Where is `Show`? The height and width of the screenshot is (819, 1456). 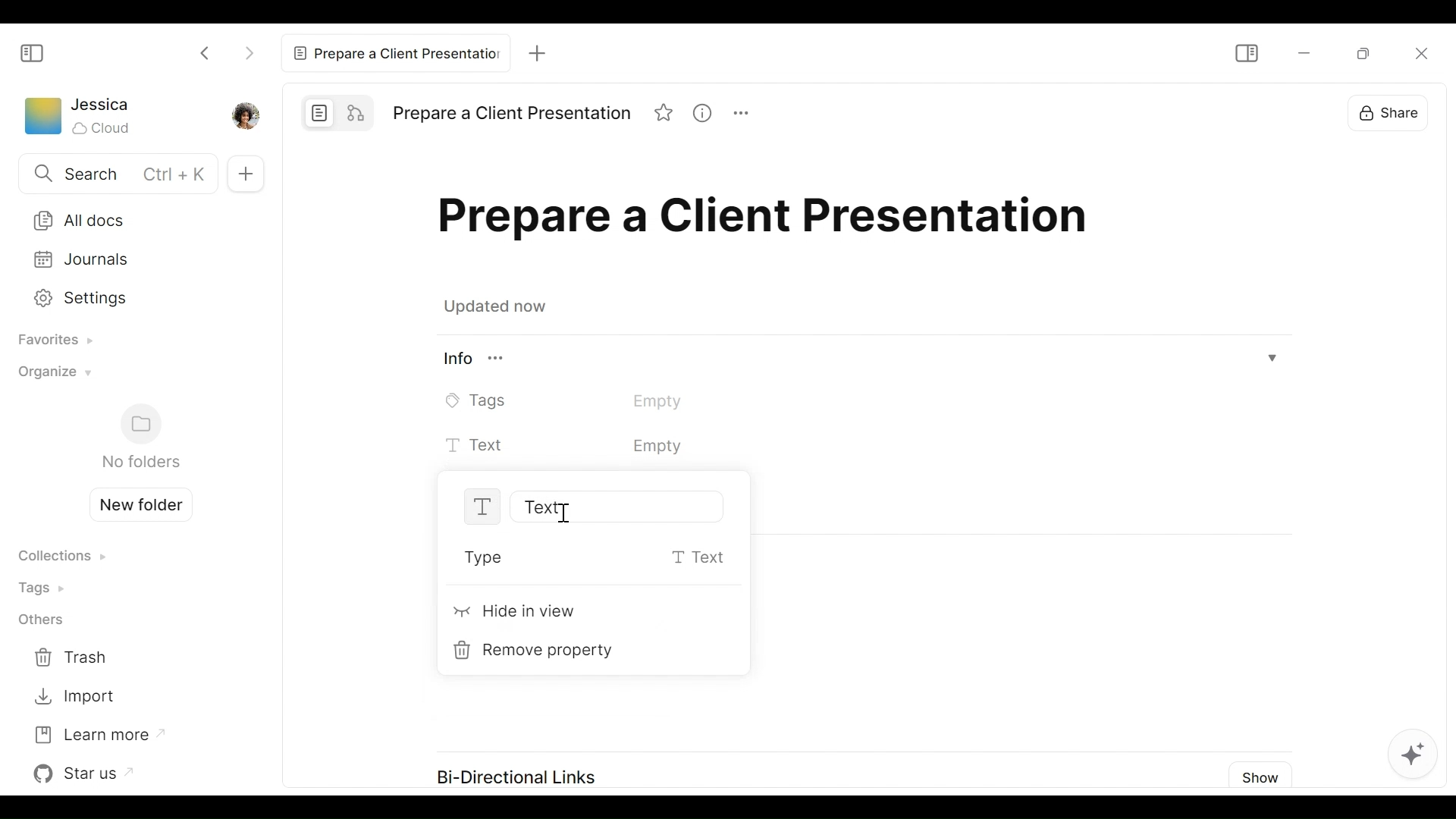
Show is located at coordinates (1261, 777).